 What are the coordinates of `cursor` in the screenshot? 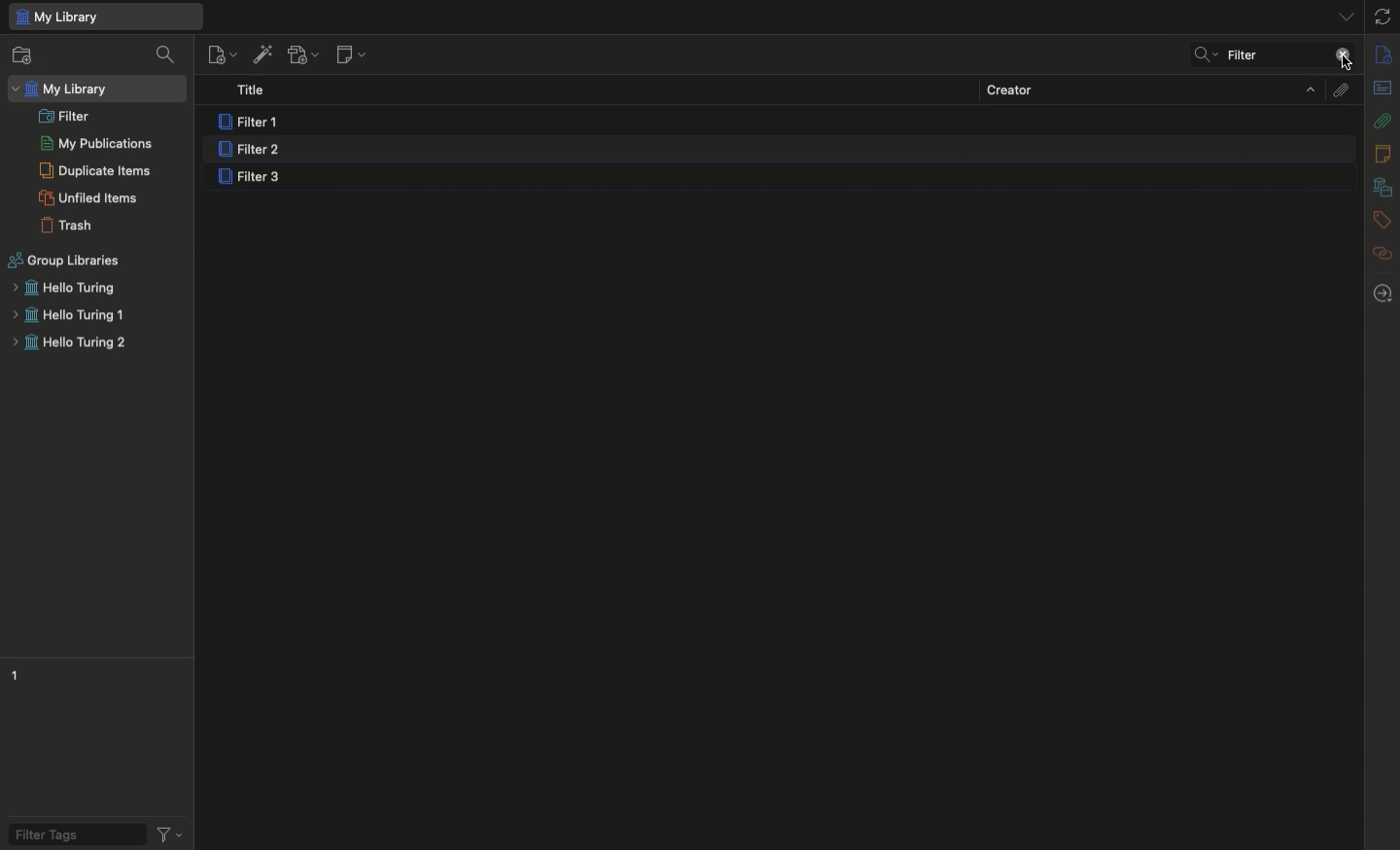 It's located at (1347, 63).